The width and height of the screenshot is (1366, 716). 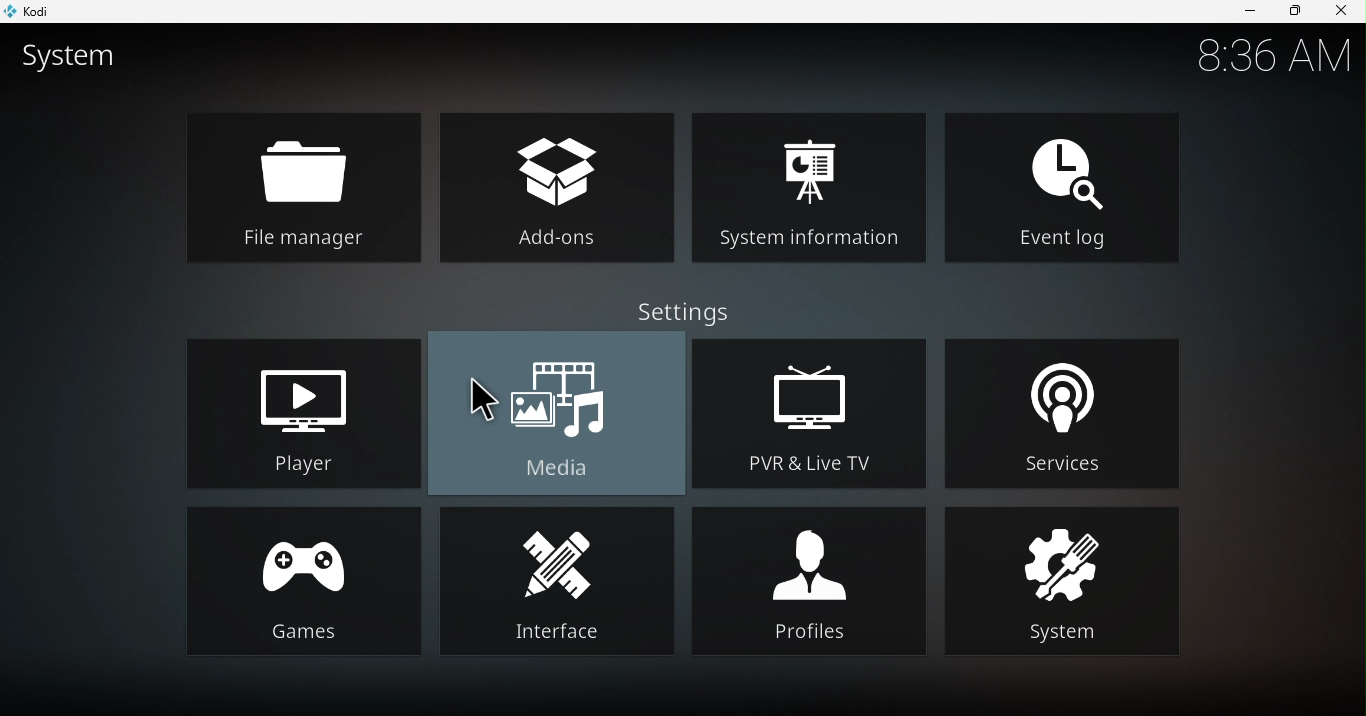 I want to click on cursor, so click(x=482, y=396).